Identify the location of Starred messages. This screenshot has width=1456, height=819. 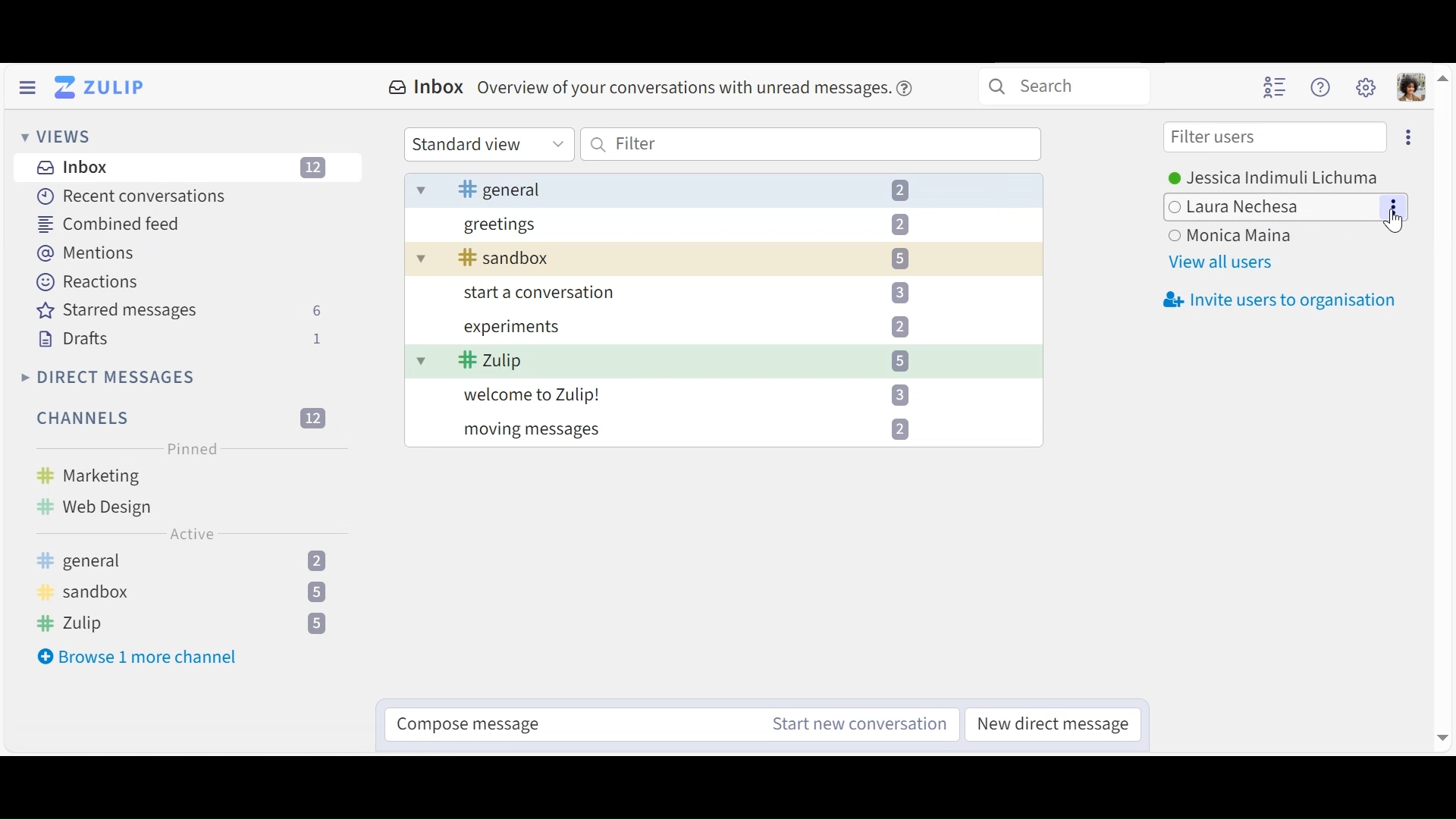
(180, 311).